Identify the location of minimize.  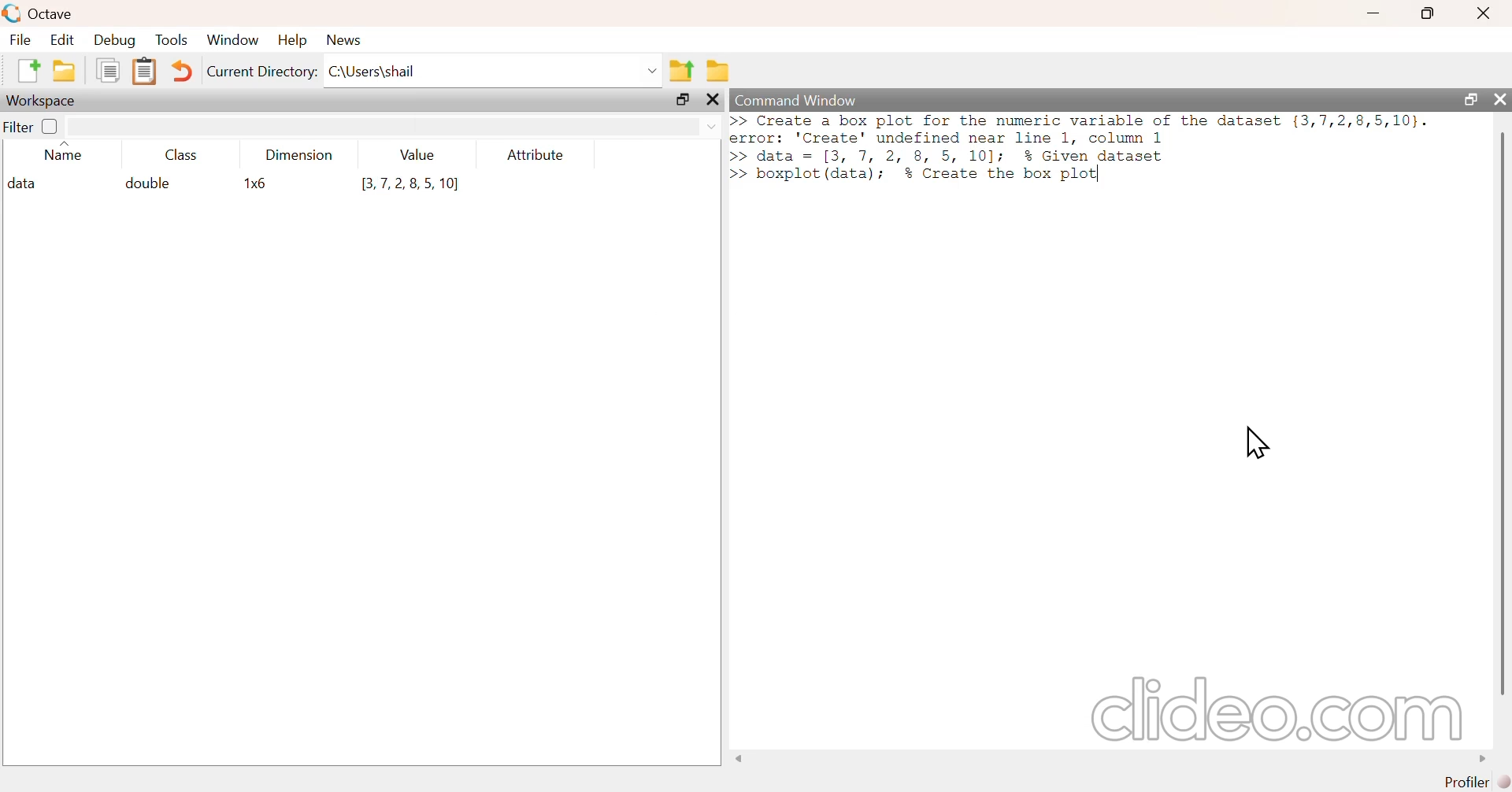
(1373, 13).